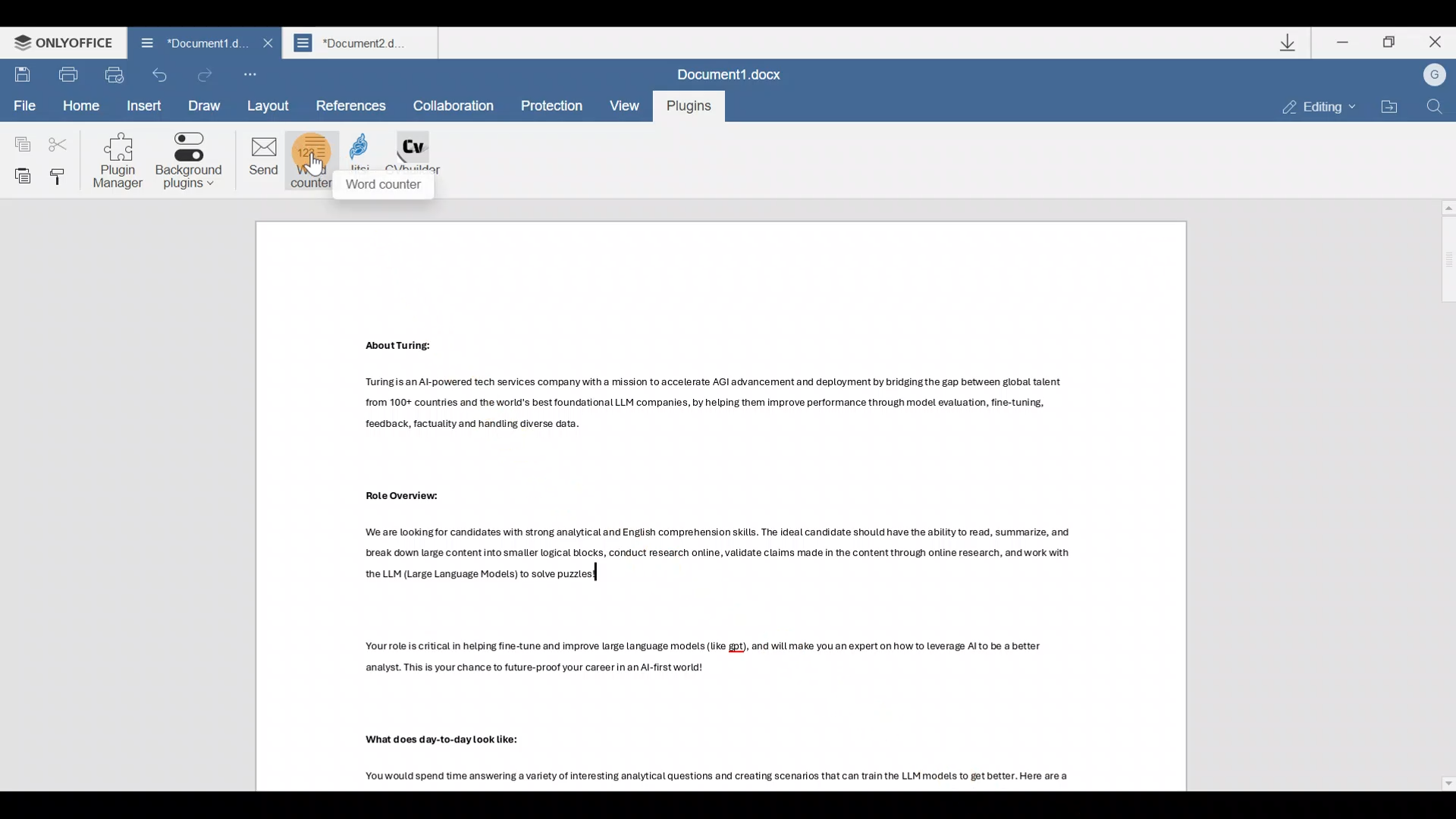 The height and width of the screenshot is (819, 1456). Describe the element at coordinates (274, 104) in the screenshot. I see `Layout` at that location.